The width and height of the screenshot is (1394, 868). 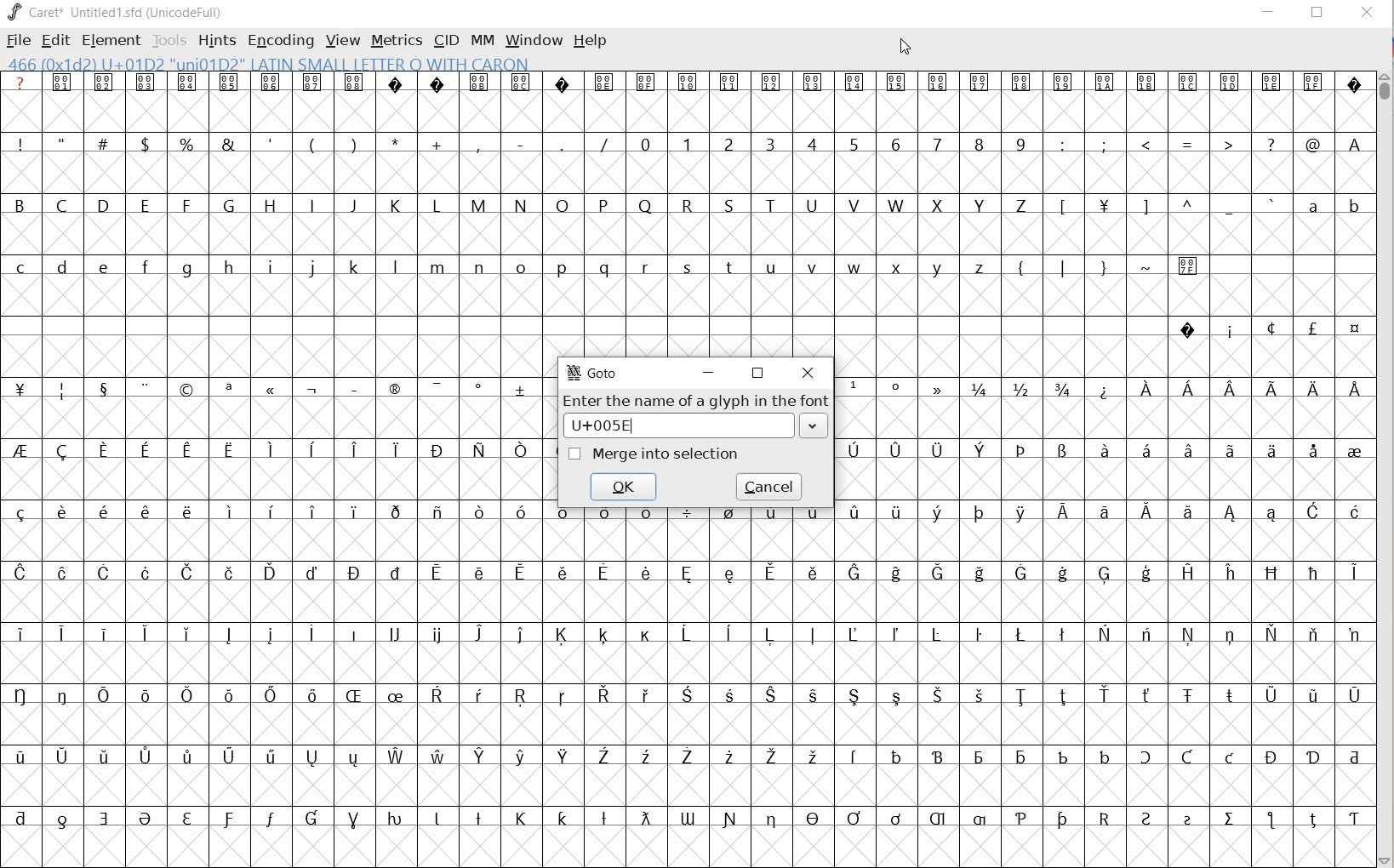 What do you see at coordinates (269, 65) in the screenshot?
I see `466 (0x1d2) U+01D2 "UNI01D2" LATIN SMALL LETTER O WITH CARON` at bounding box center [269, 65].